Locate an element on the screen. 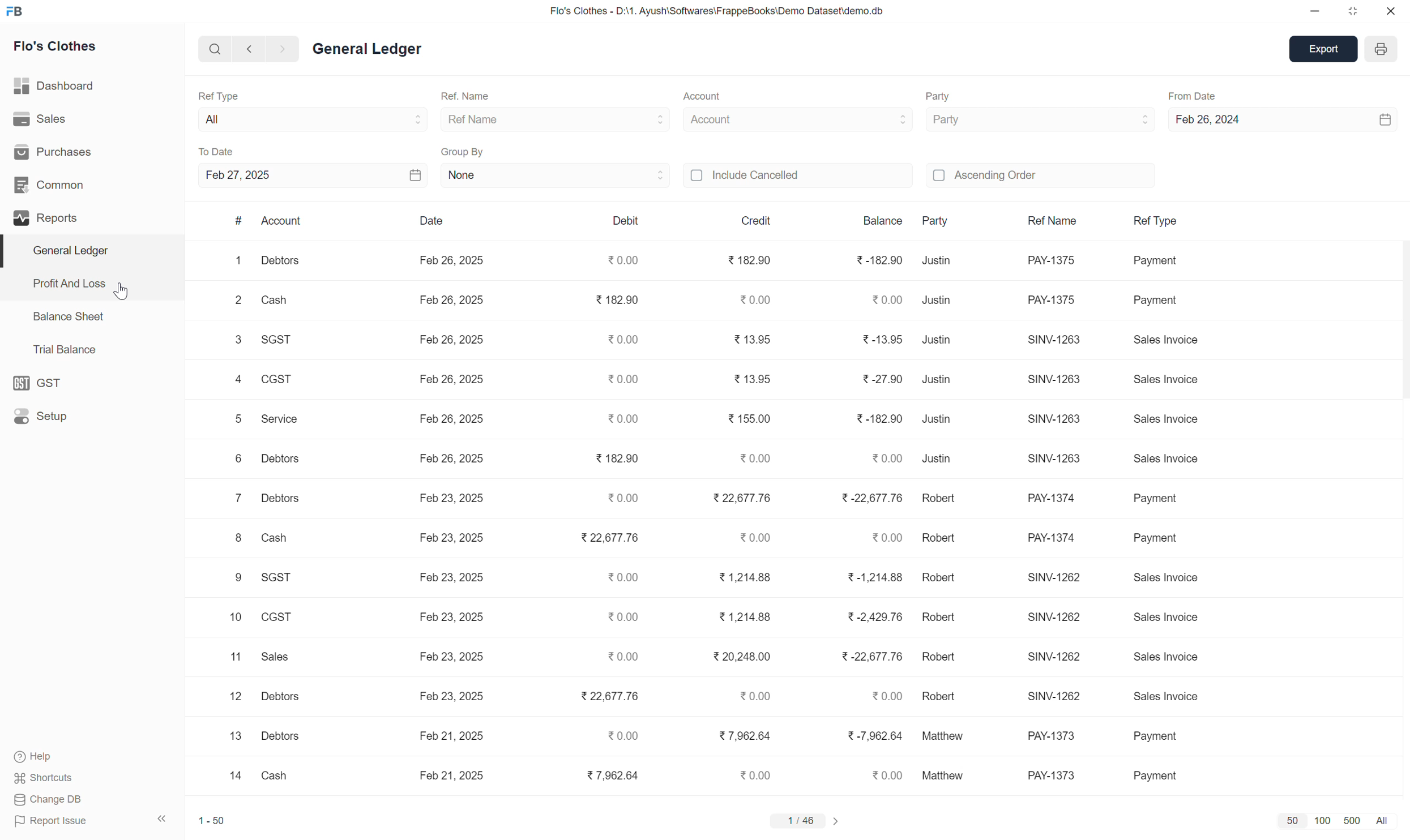  Justin is located at coordinates (939, 420).